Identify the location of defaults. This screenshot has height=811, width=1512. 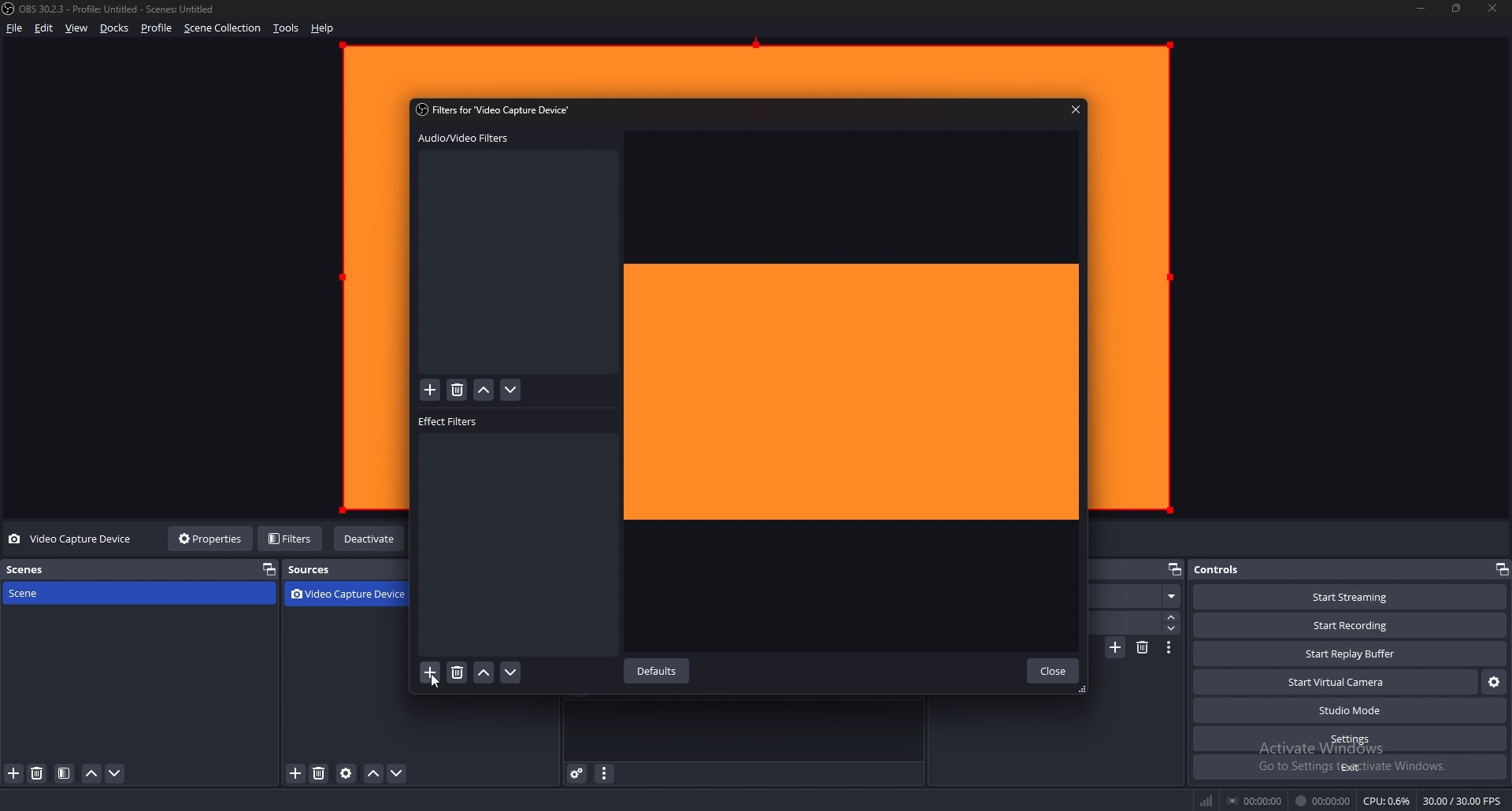
(659, 672).